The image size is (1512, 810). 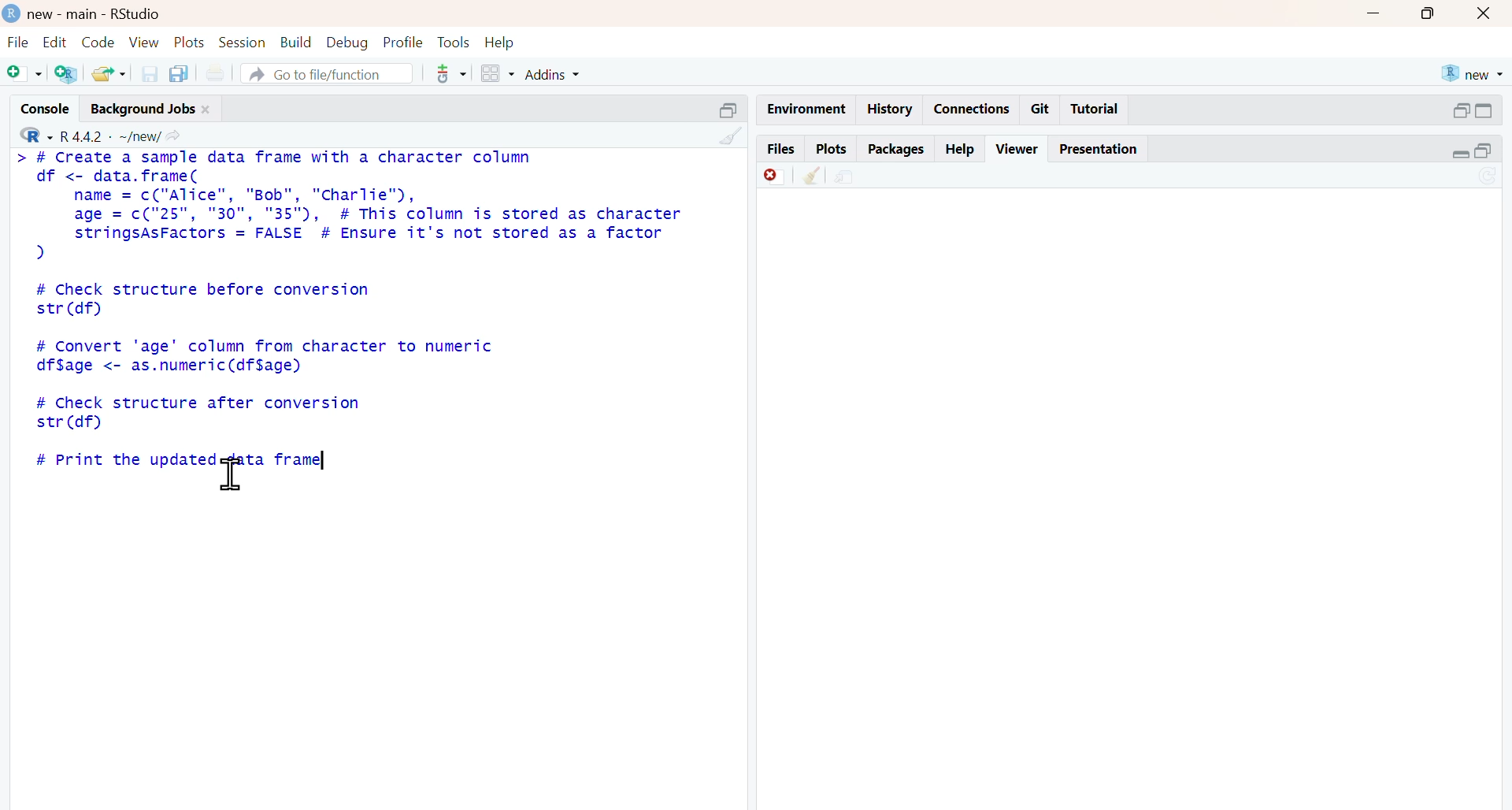 What do you see at coordinates (111, 73) in the screenshot?
I see `share folder as` at bounding box center [111, 73].